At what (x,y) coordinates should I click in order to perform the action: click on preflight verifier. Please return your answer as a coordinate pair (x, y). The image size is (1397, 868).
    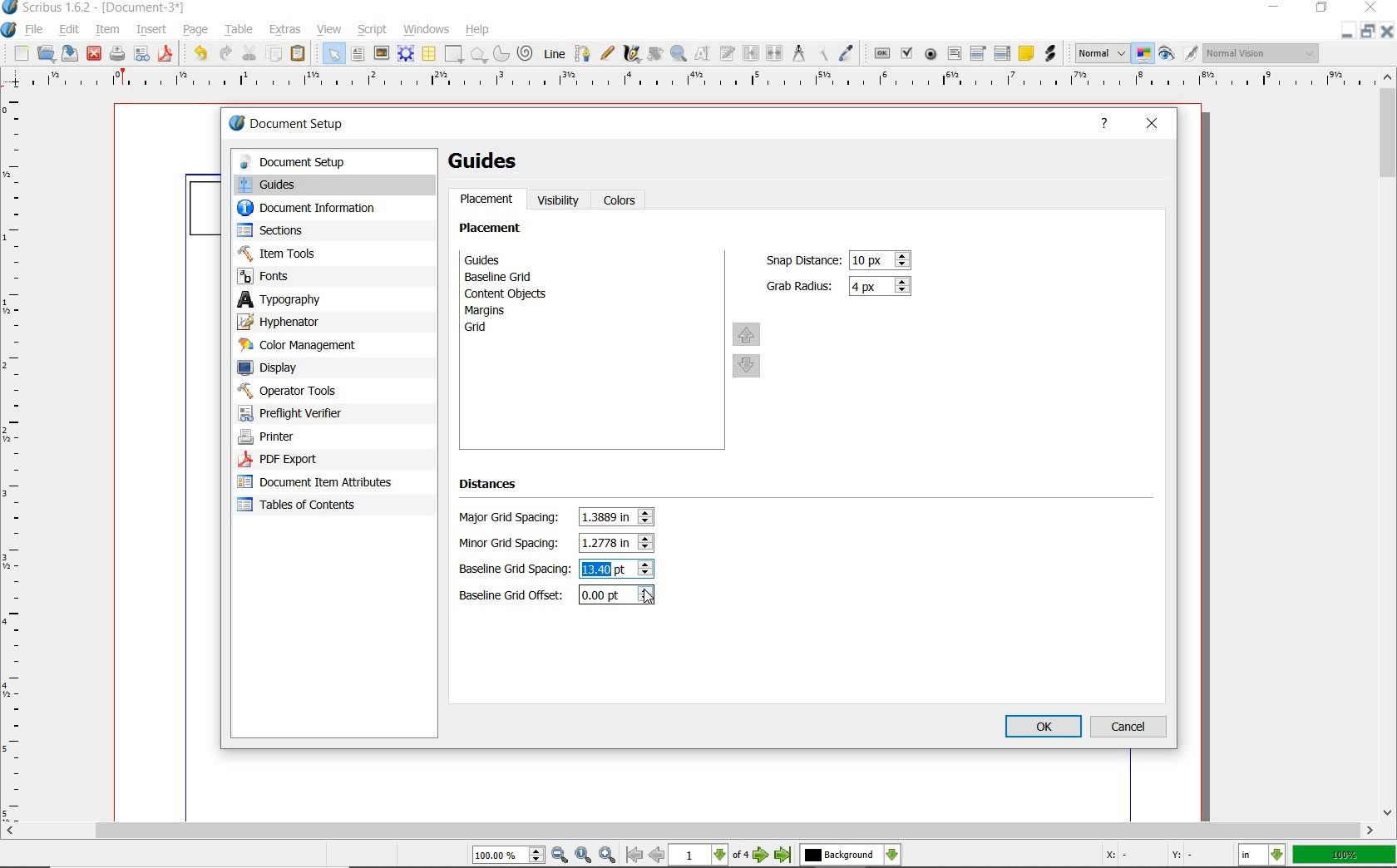
    Looking at the image, I should click on (309, 413).